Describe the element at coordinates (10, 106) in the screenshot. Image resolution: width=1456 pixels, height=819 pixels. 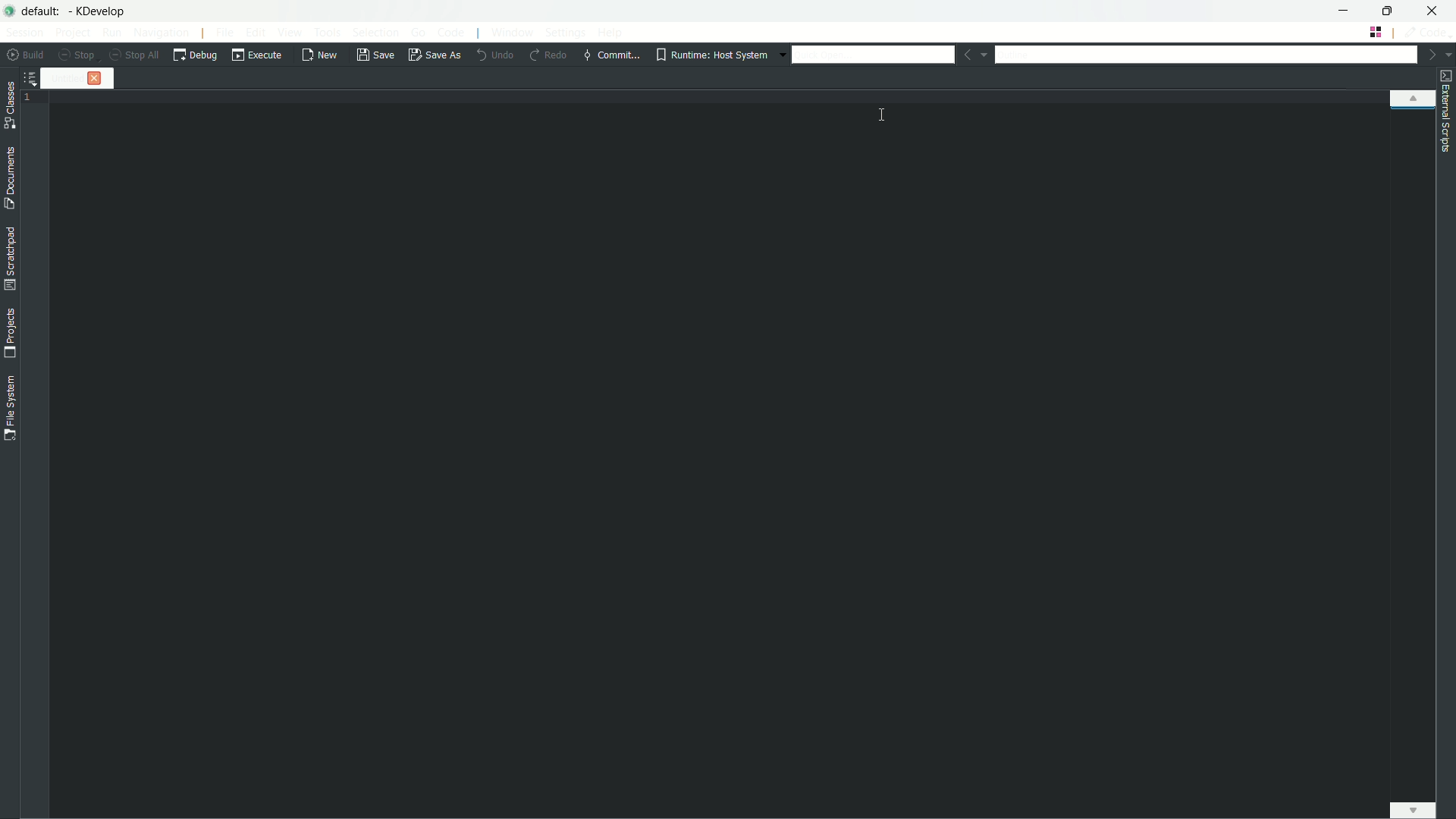
I see `toggle classes` at that location.